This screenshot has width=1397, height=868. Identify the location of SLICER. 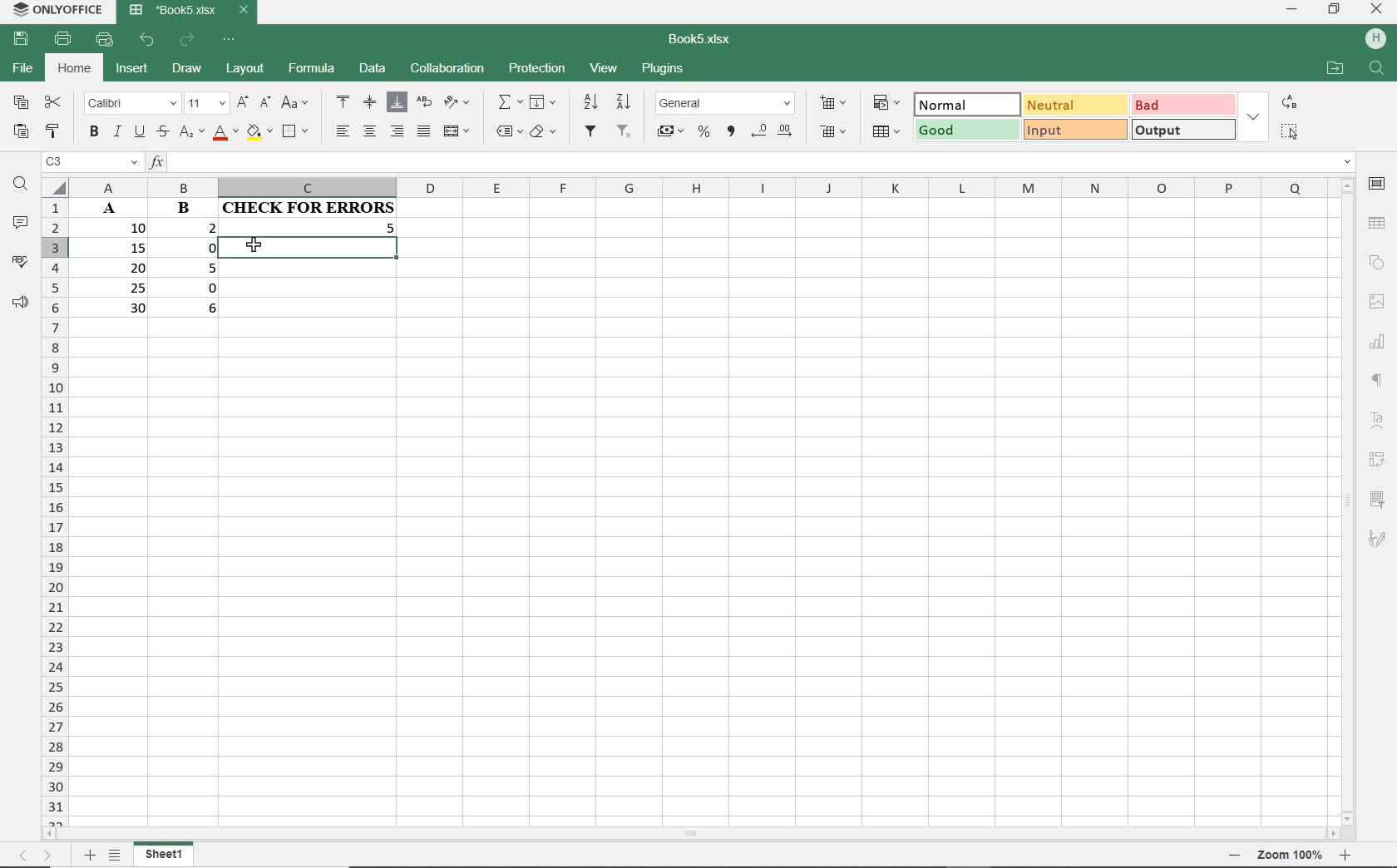
(1376, 499).